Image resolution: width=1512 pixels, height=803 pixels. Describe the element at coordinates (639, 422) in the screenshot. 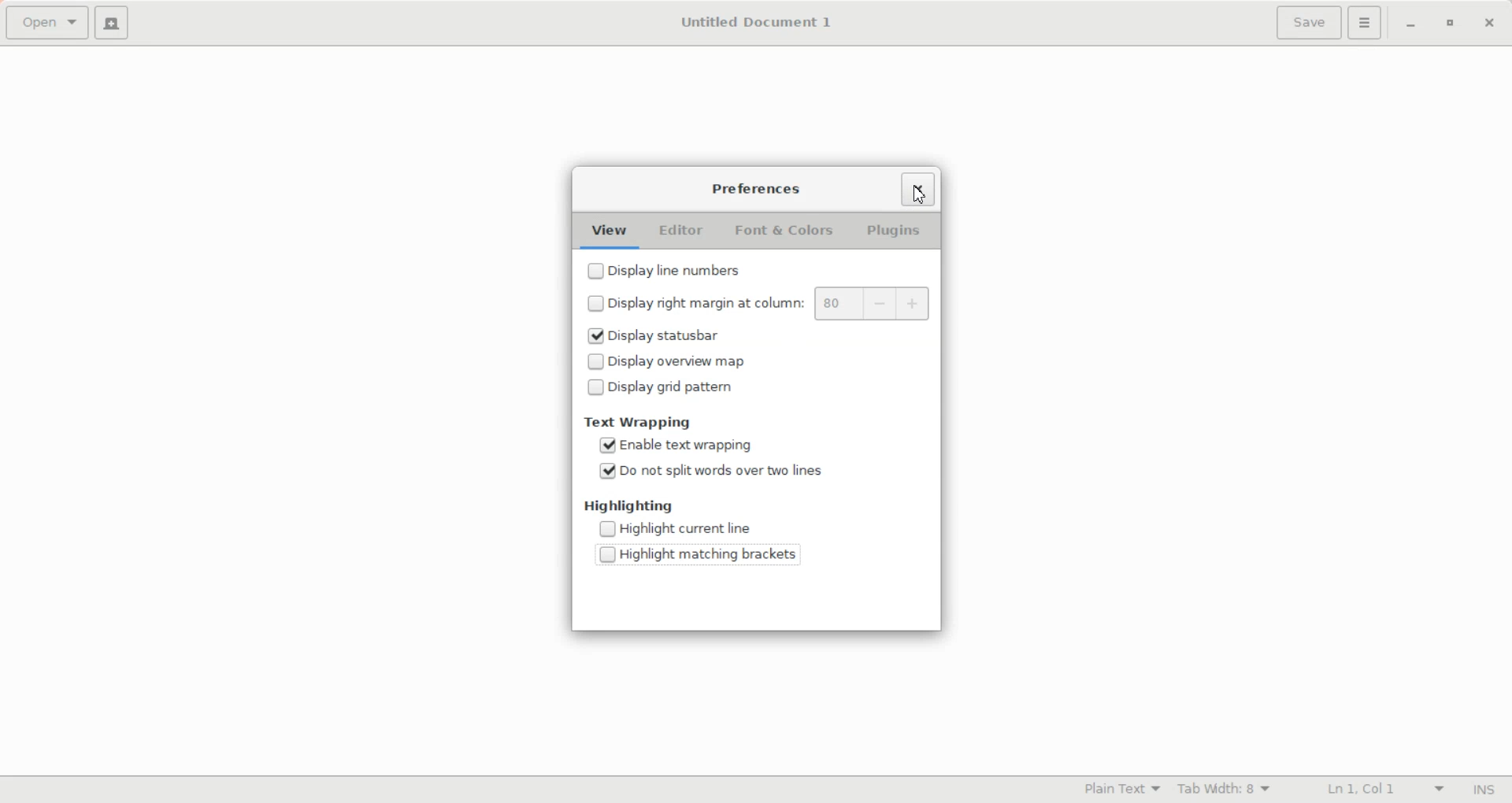

I see `Text Wrapping` at that location.